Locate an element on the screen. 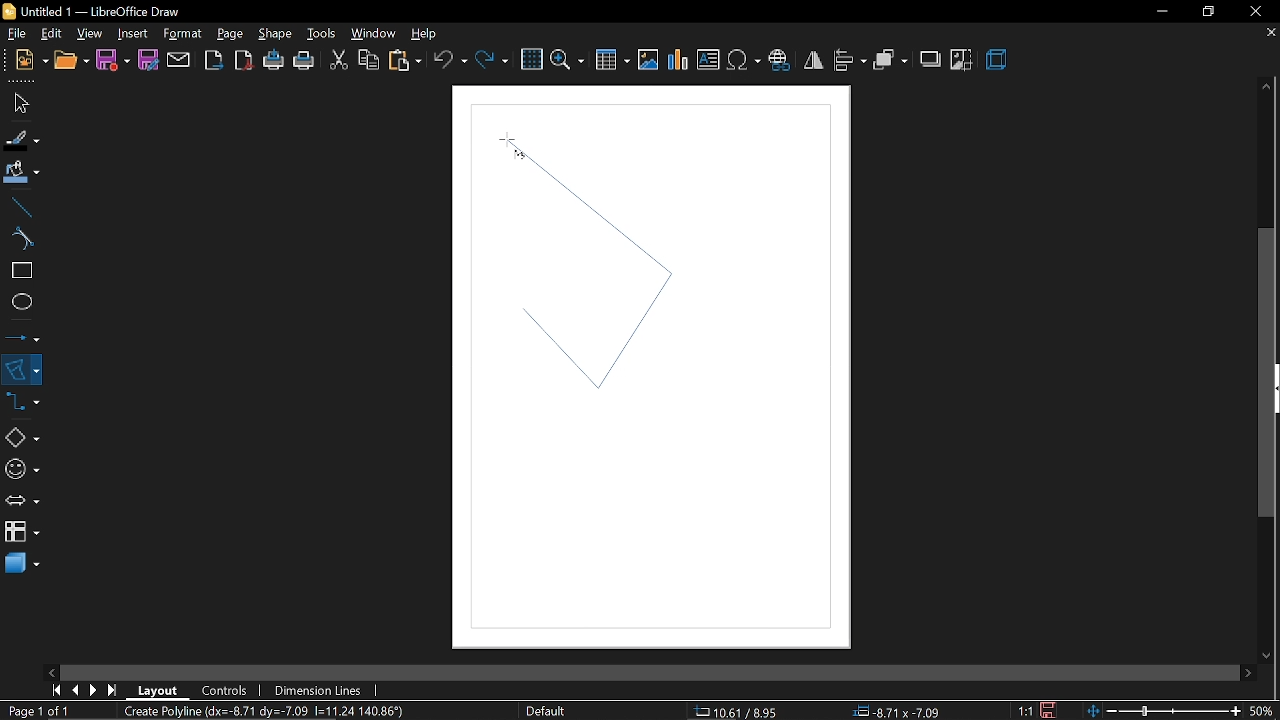 The height and width of the screenshot is (720, 1280). fromat is located at coordinates (182, 34).